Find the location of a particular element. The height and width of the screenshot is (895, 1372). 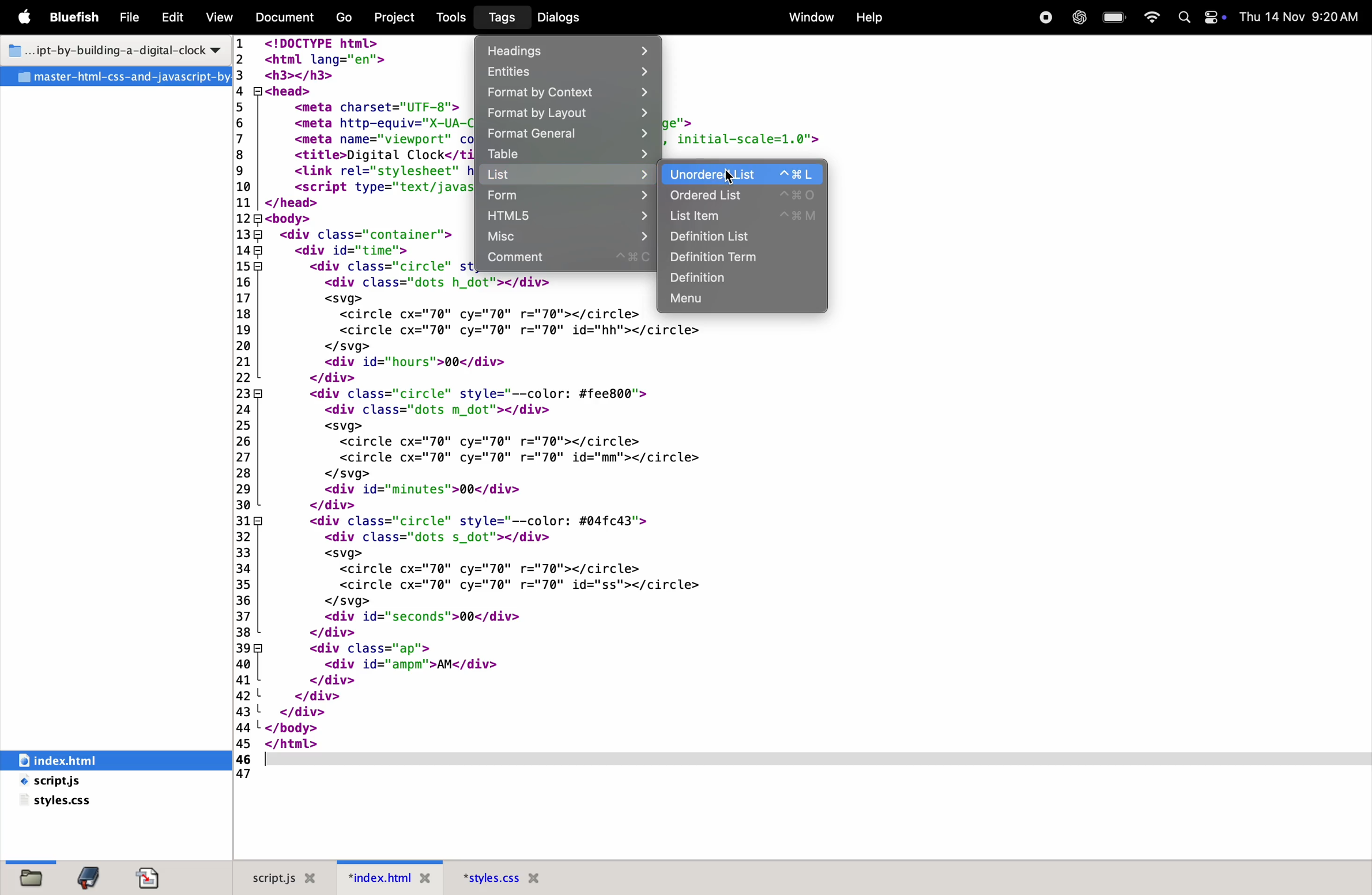

Defination is located at coordinates (745, 280).